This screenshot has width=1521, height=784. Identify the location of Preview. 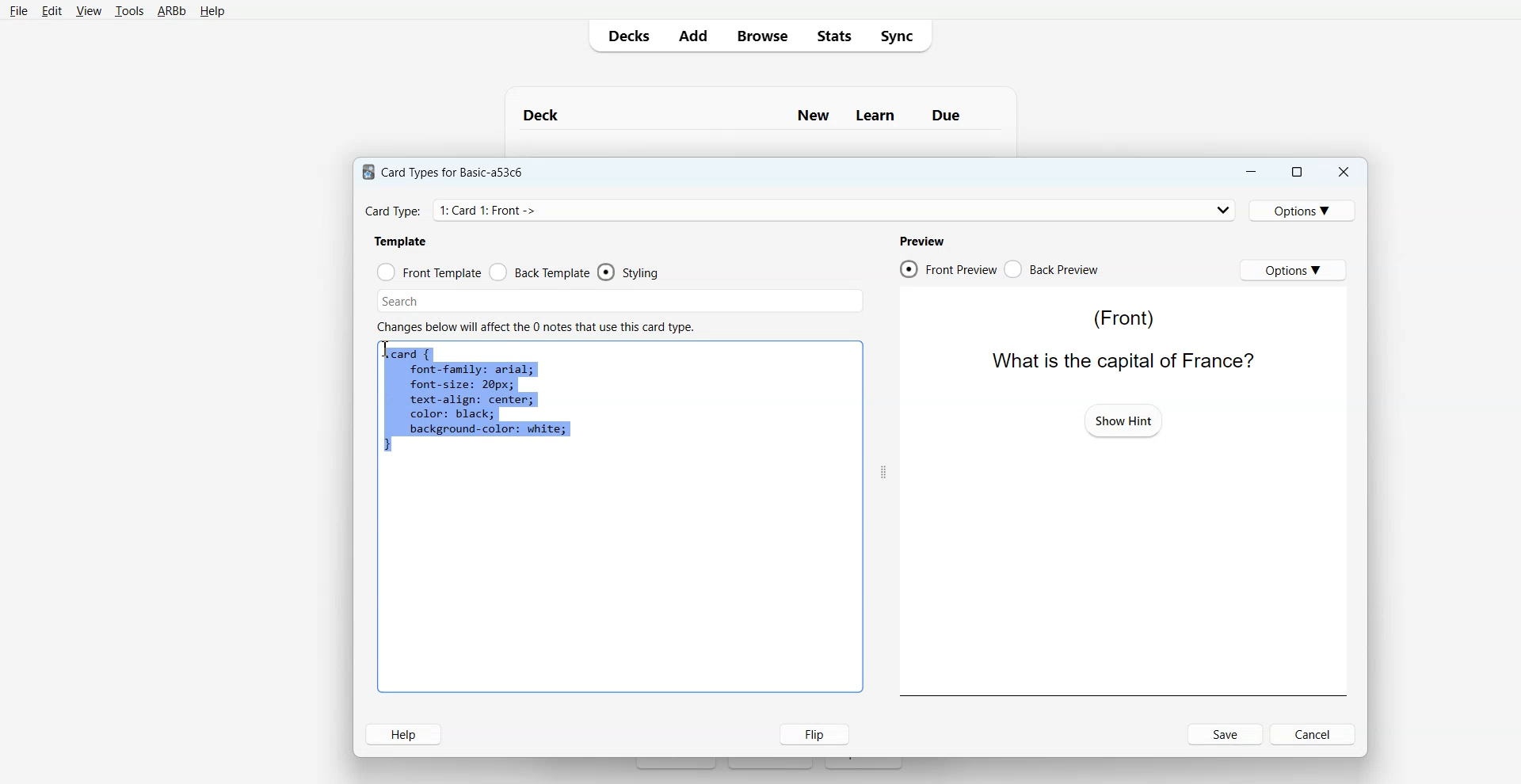
(921, 241).